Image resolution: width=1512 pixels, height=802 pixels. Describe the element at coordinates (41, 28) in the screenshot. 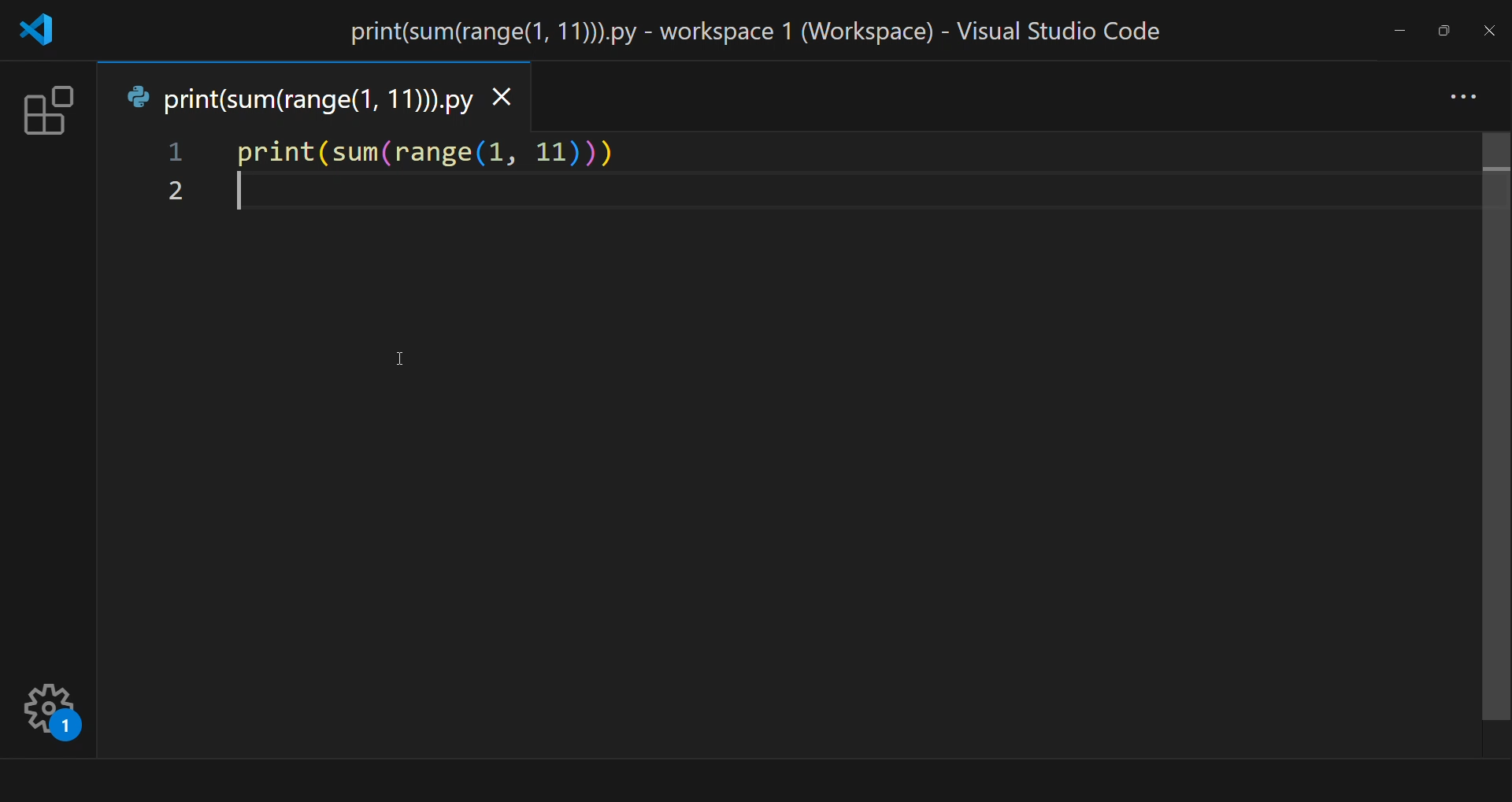

I see `logo` at that location.